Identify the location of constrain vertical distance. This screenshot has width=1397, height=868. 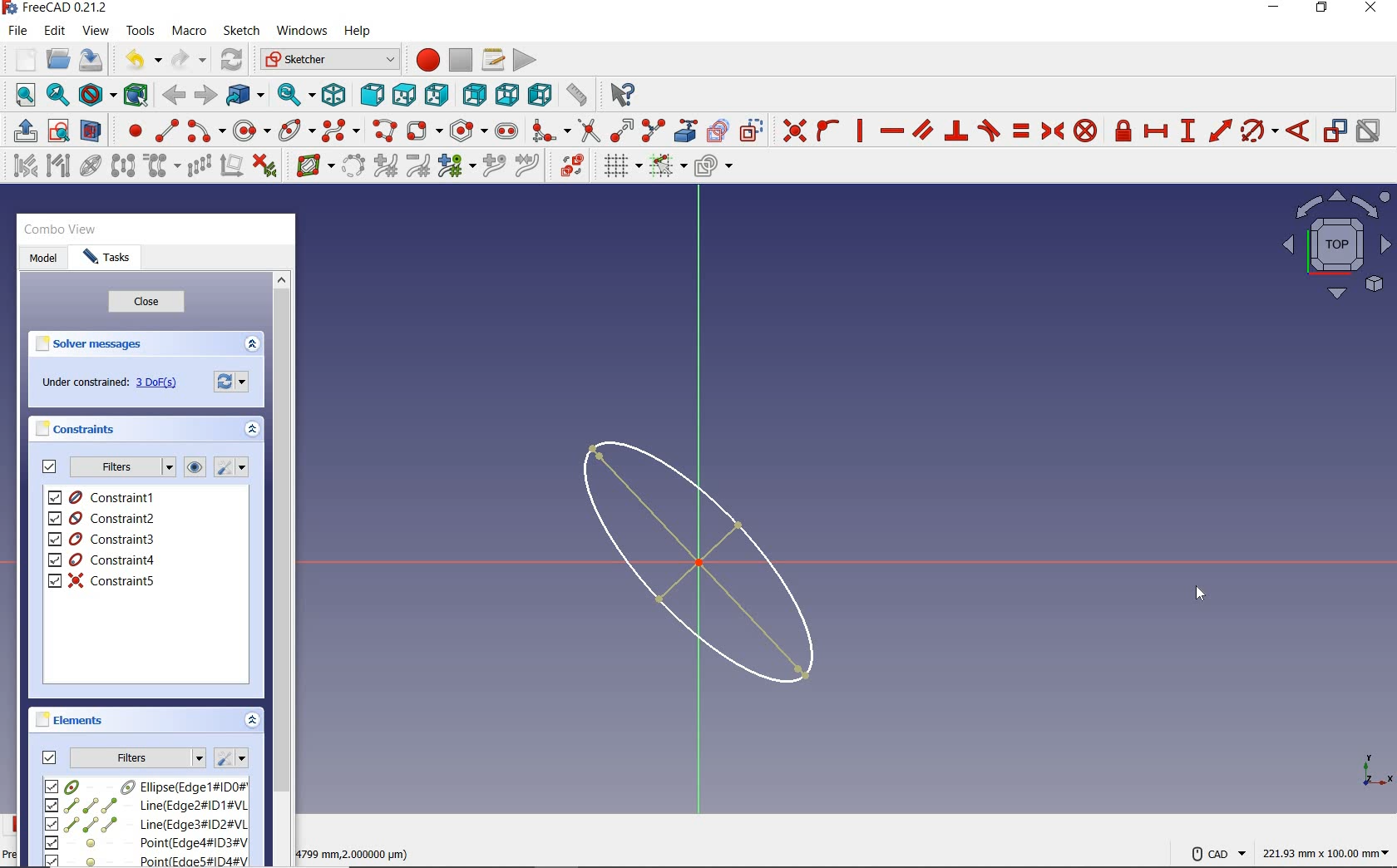
(1187, 131).